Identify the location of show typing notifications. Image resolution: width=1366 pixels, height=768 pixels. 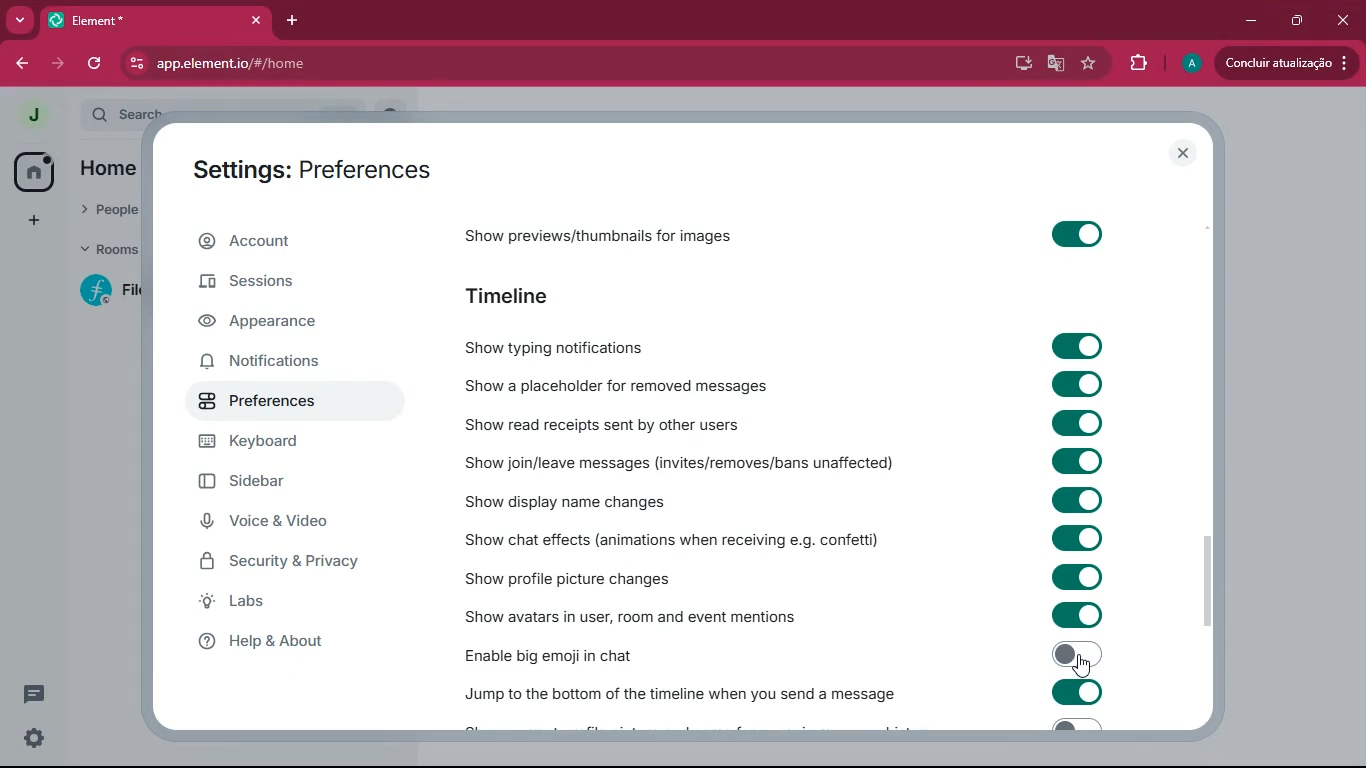
(627, 348).